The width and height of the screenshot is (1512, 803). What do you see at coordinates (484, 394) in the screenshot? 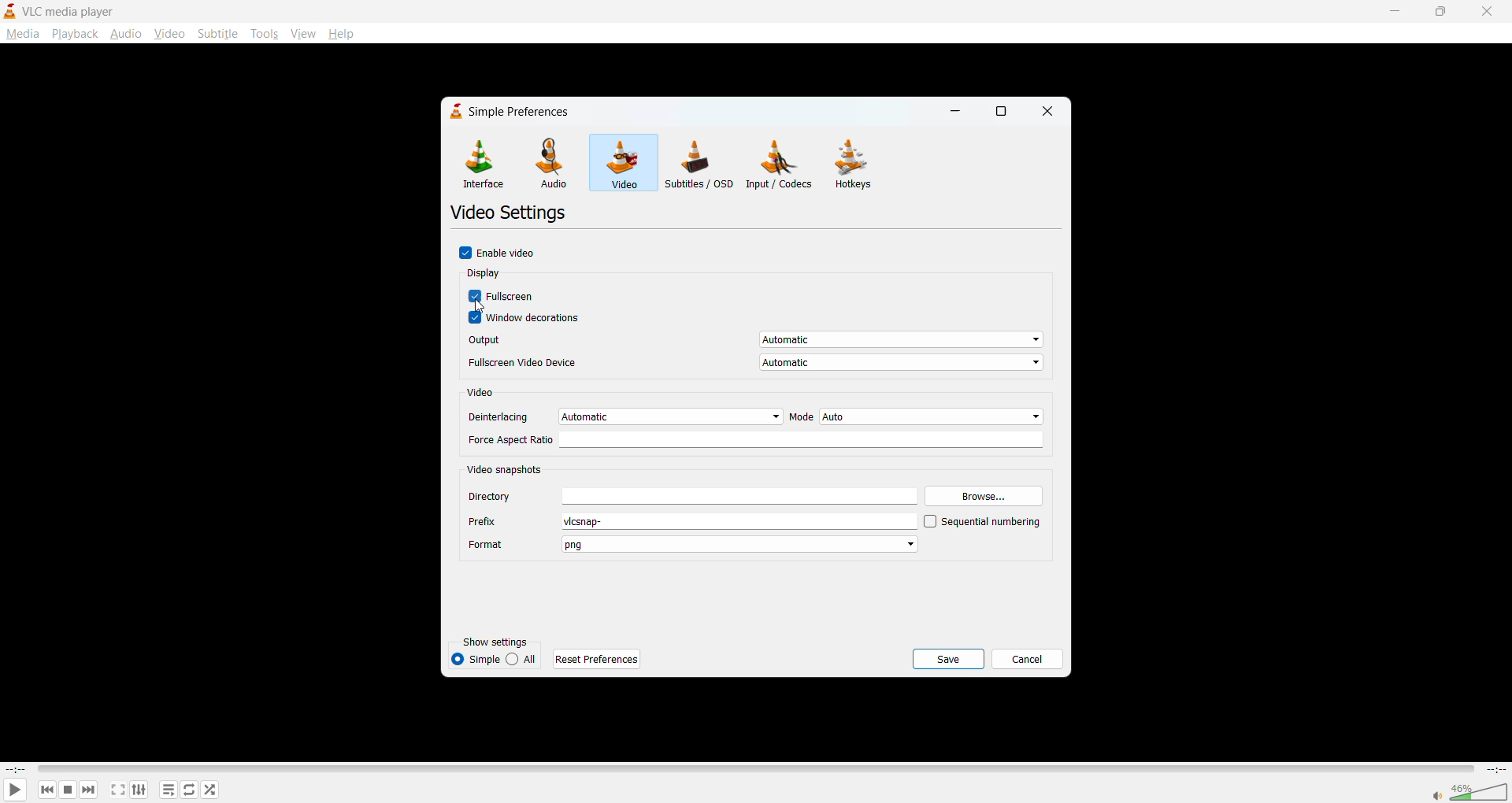
I see `video` at bounding box center [484, 394].